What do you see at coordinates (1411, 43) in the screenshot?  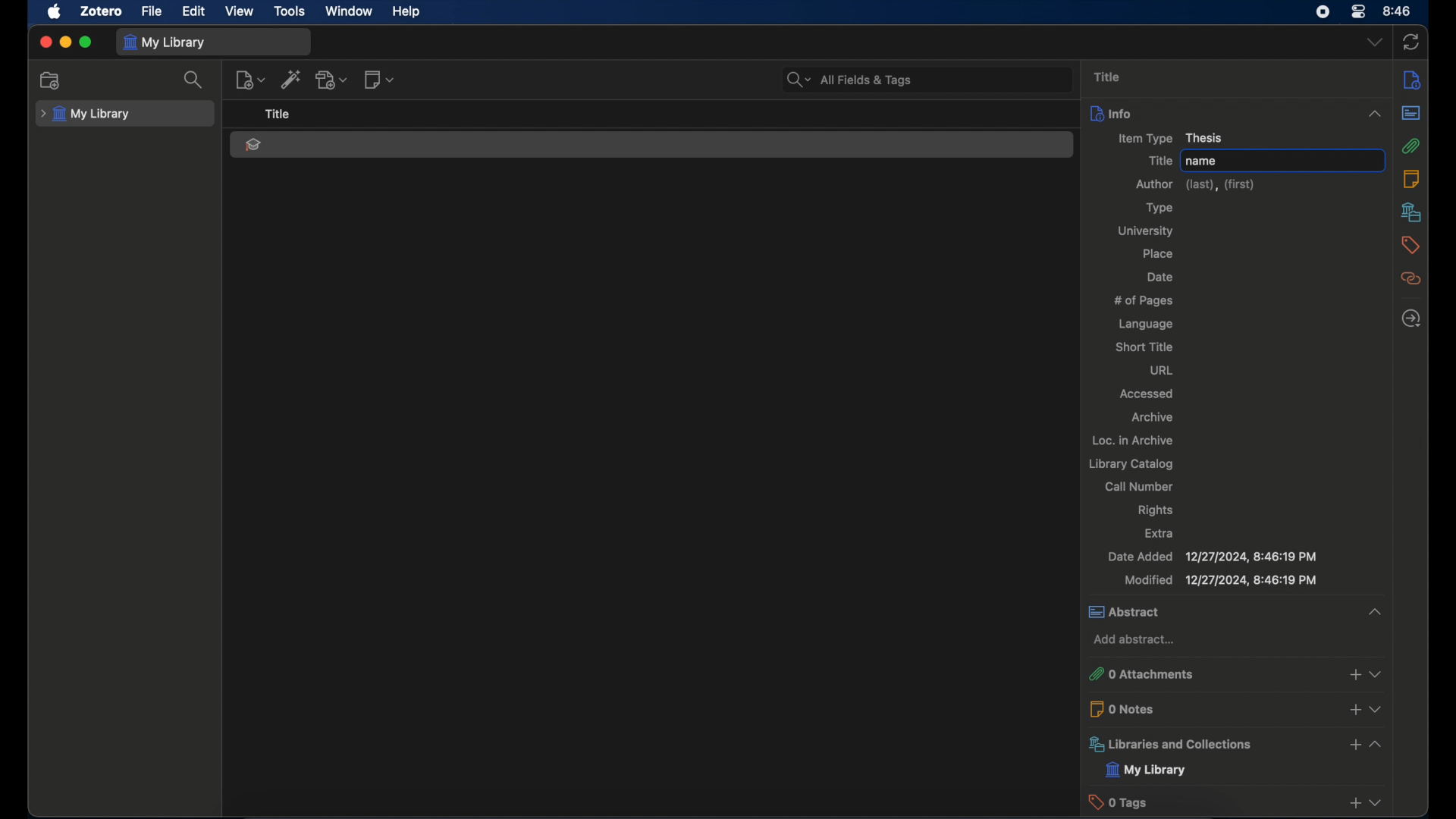 I see `sync` at bounding box center [1411, 43].